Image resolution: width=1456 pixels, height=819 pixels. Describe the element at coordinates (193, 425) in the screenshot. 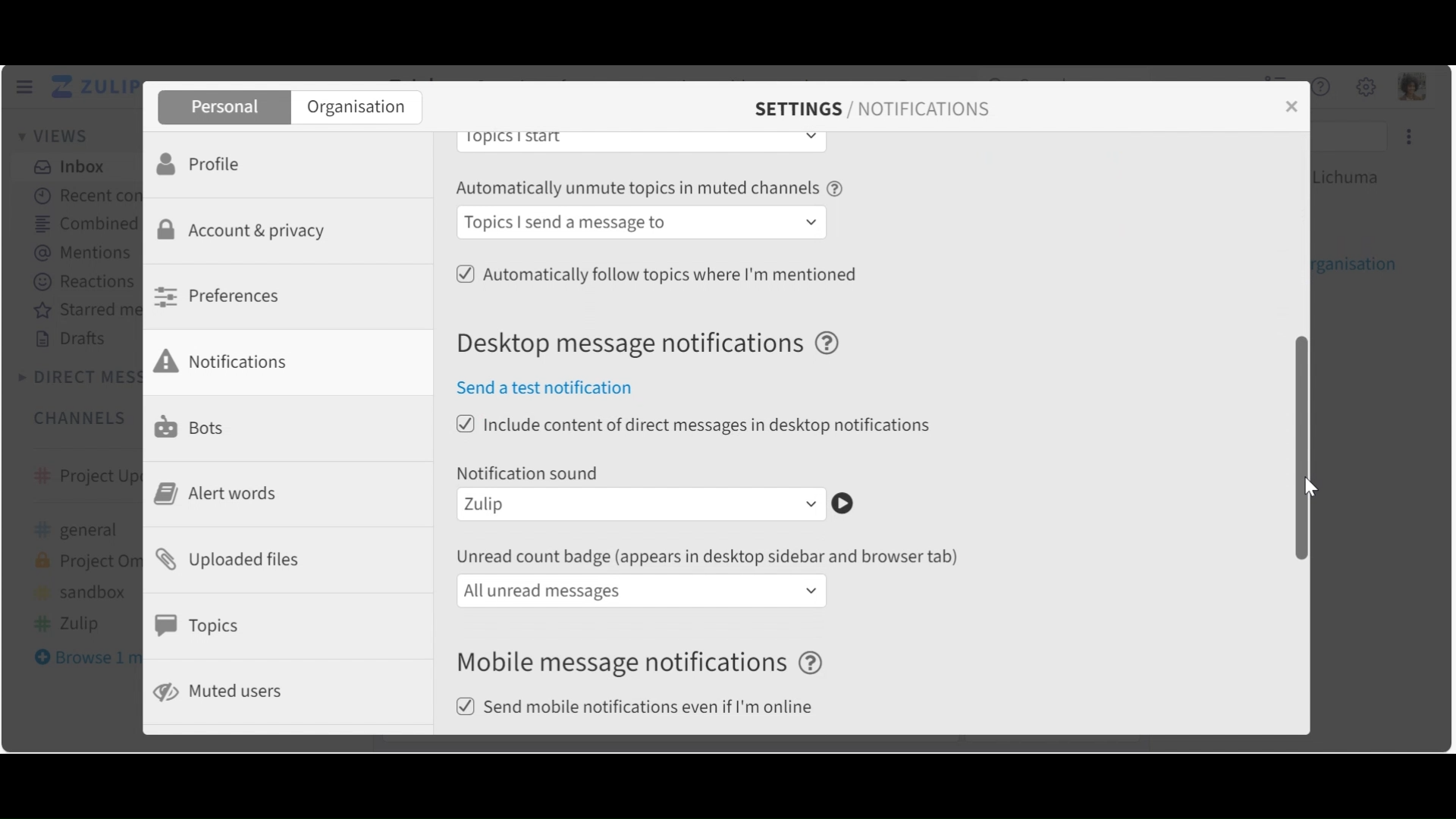

I see `Bots` at that location.